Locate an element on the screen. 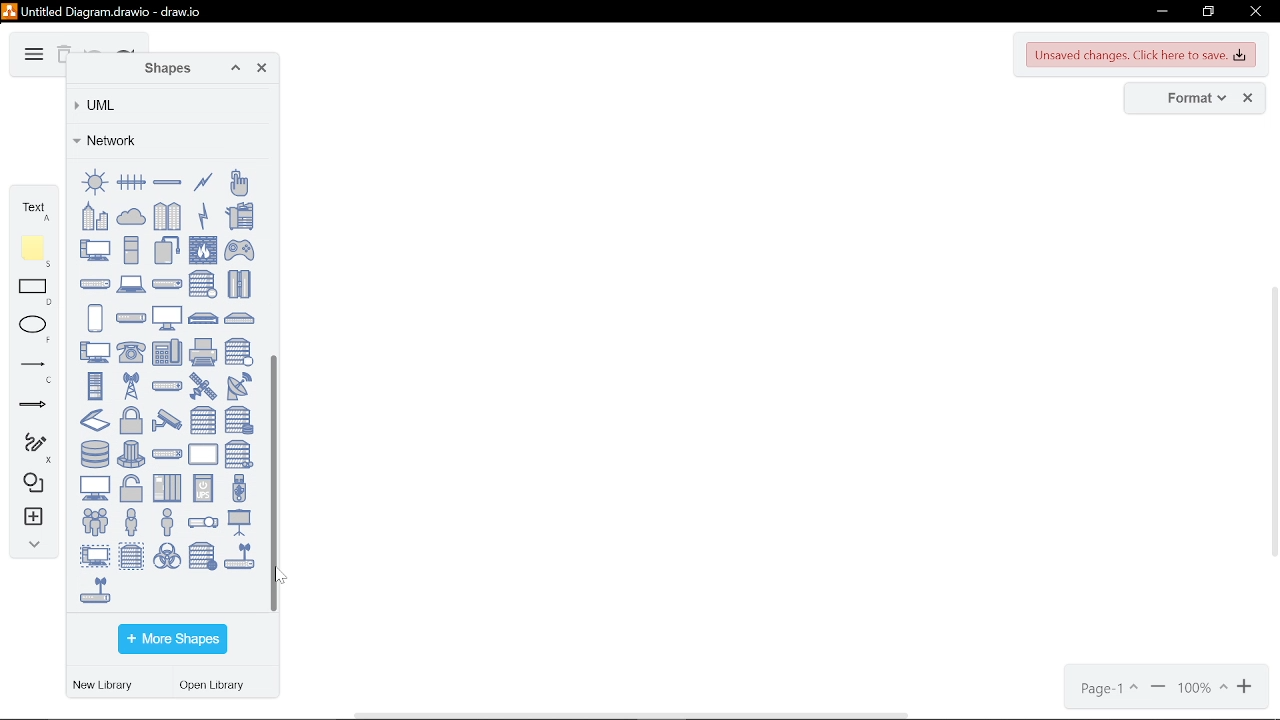 The height and width of the screenshot is (720, 1280). business center is located at coordinates (95, 216).